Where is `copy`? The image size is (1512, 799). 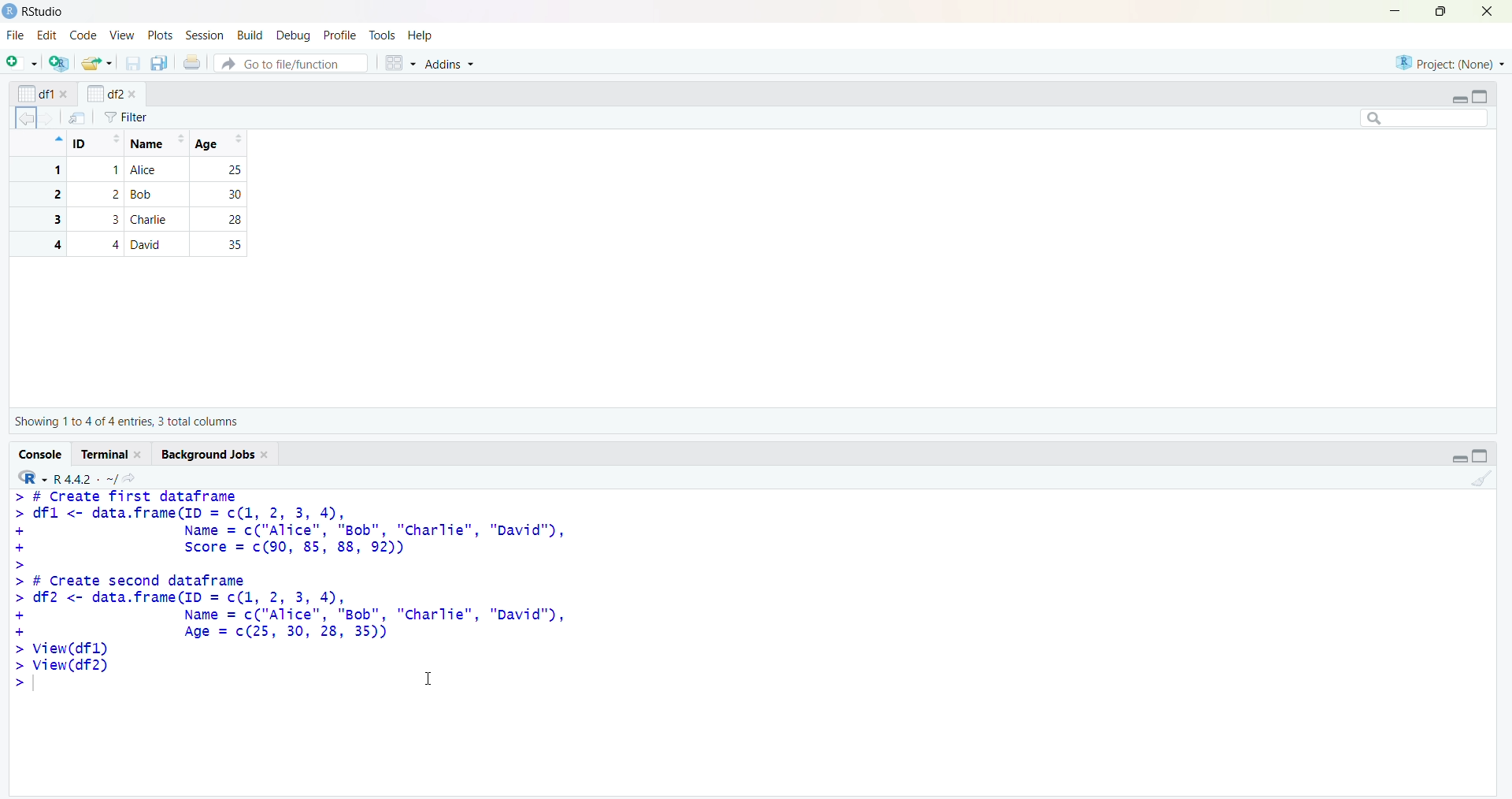 copy is located at coordinates (159, 63).